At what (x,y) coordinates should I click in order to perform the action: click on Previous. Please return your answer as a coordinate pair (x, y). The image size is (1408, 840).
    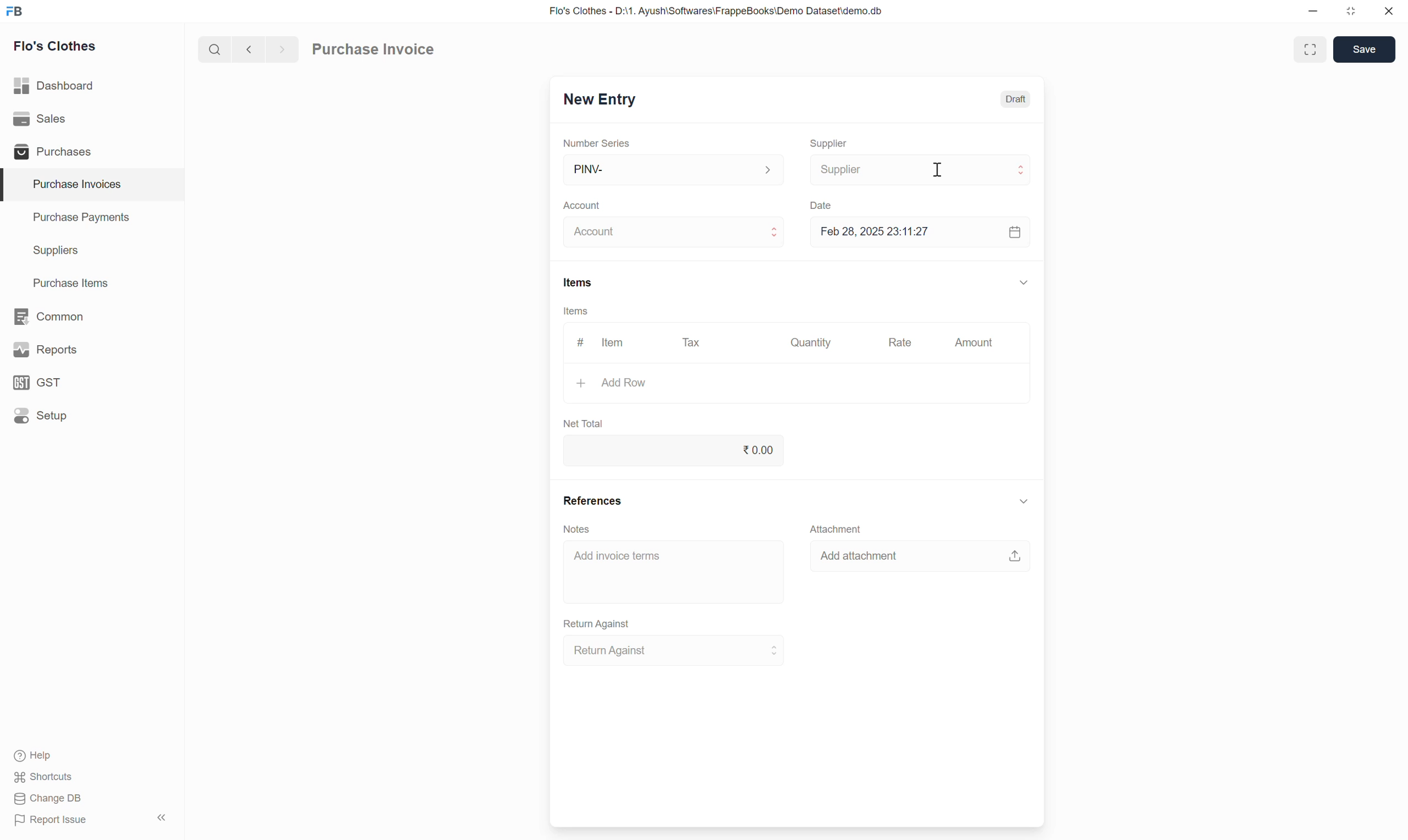
    Looking at the image, I should click on (249, 49).